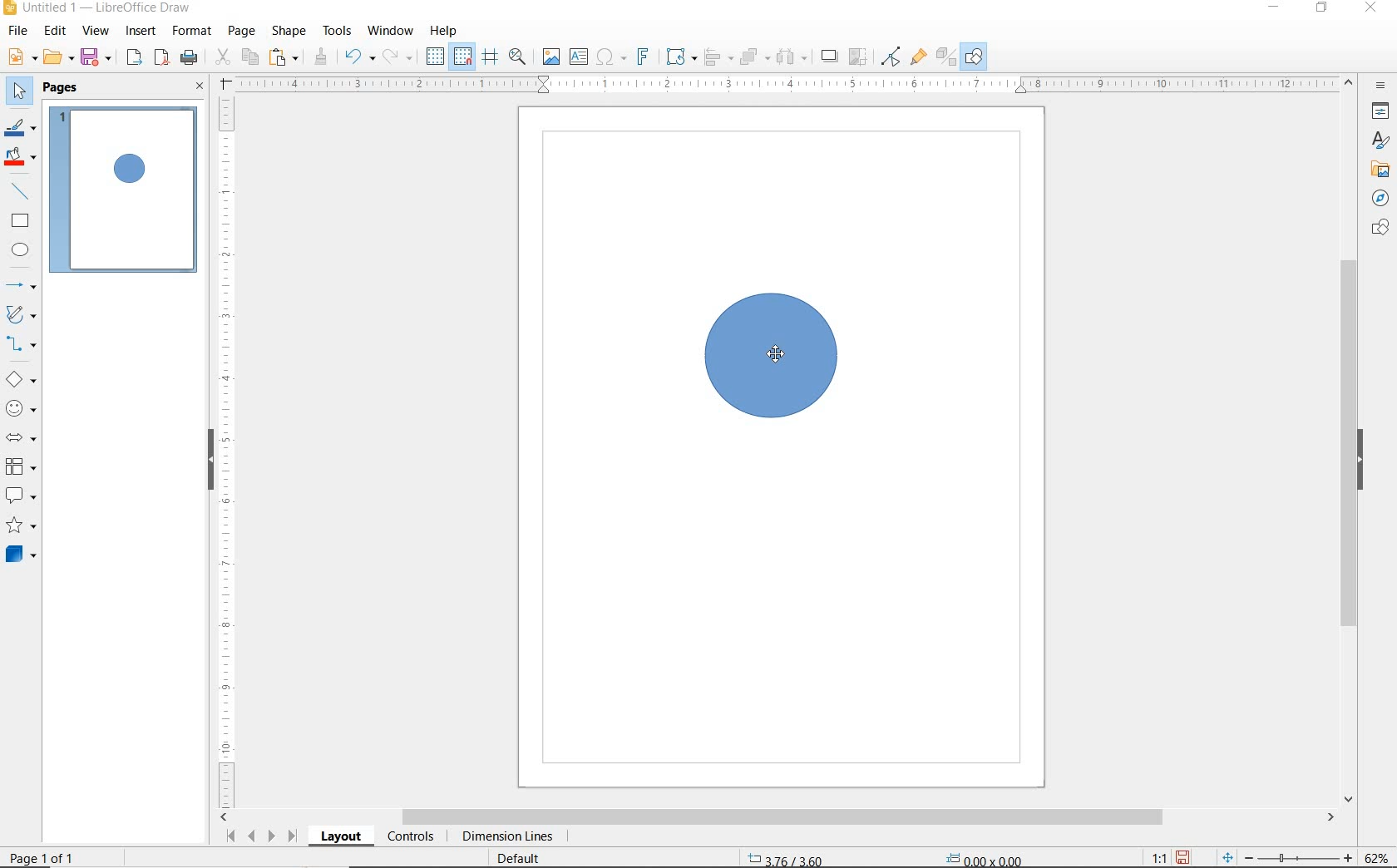  What do you see at coordinates (287, 57) in the screenshot?
I see `PASTE` at bounding box center [287, 57].